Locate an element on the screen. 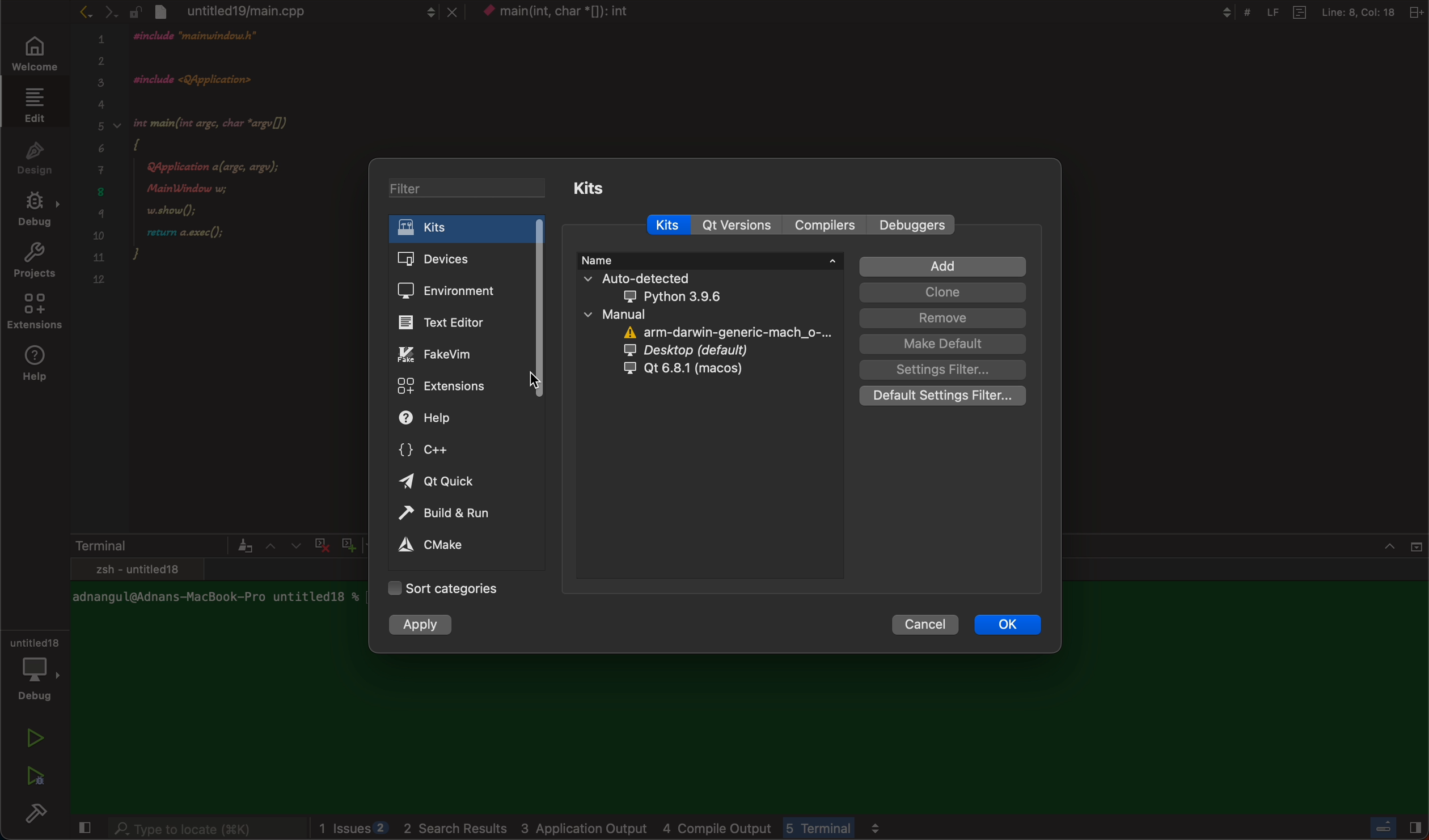 Image resolution: width=1429 pixels, height=840 pixels. qt versions is located at coordinates (737, 225).